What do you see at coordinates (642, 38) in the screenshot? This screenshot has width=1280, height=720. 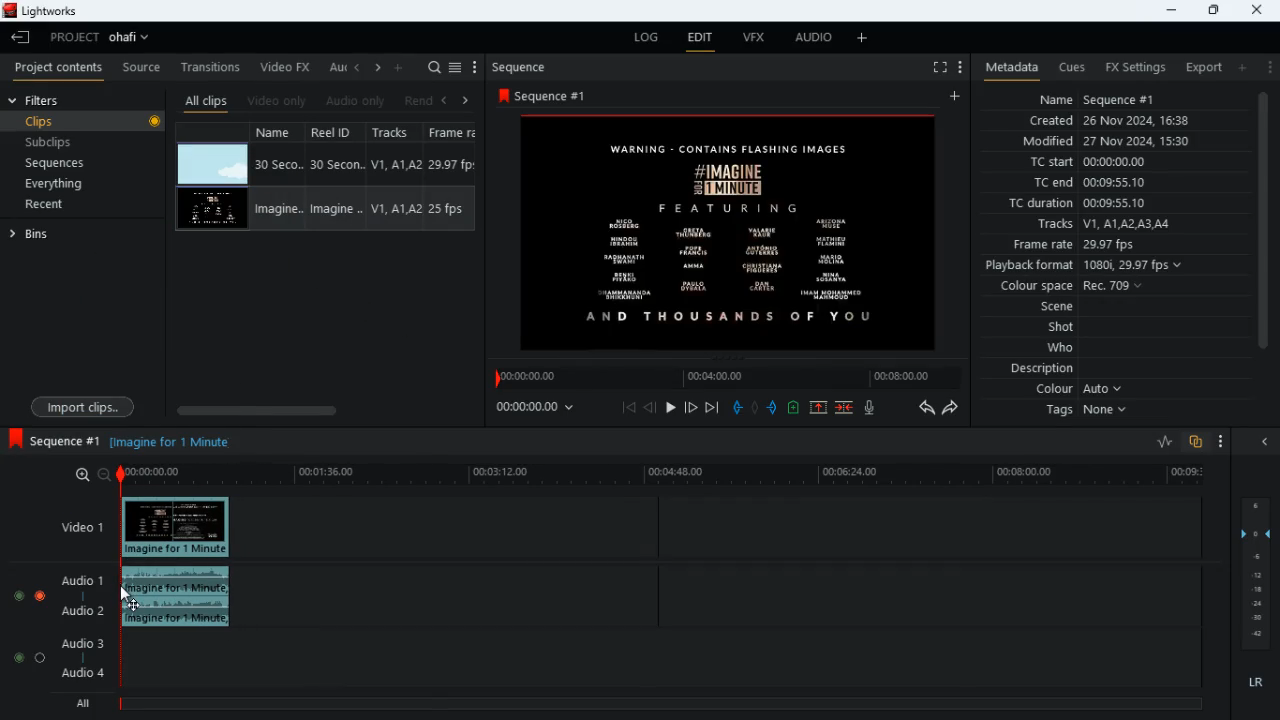 I see `log` at bounding box center [642, 38].